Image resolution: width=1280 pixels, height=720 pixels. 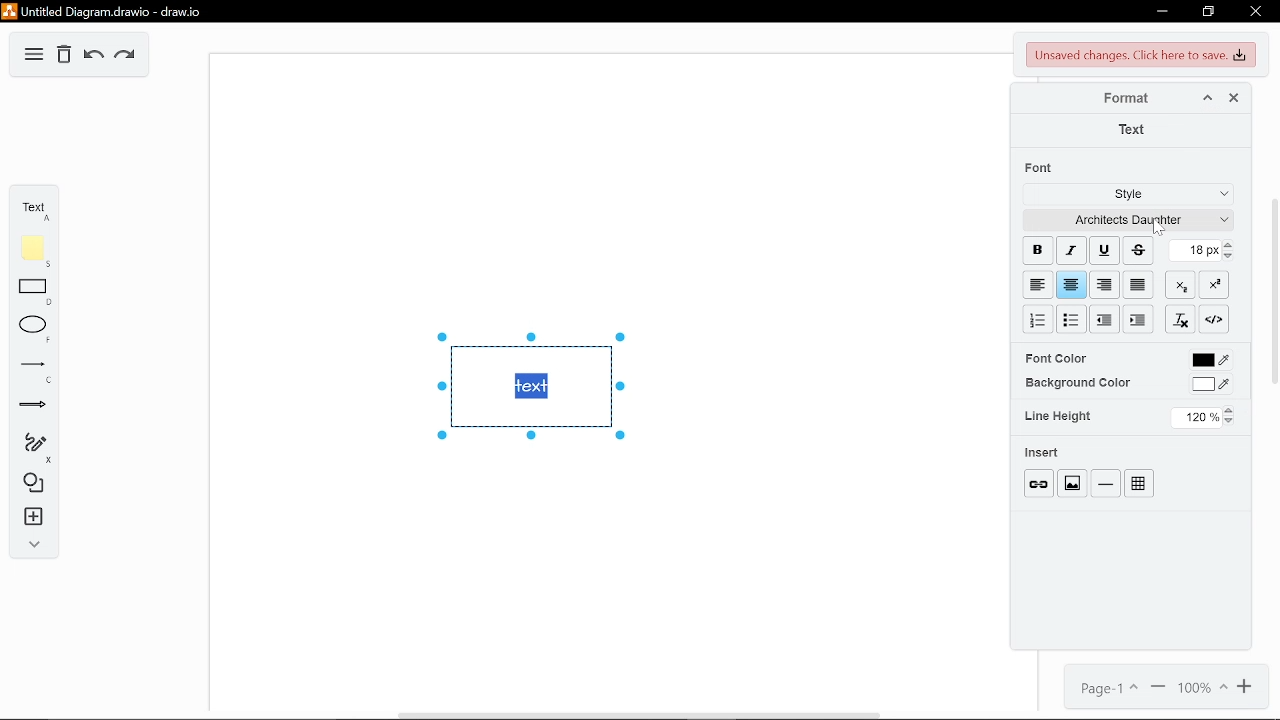 What do you see at coordinates (1055, 358) in the screenshot?
I see `font color` at bounding box center [1055, 358].